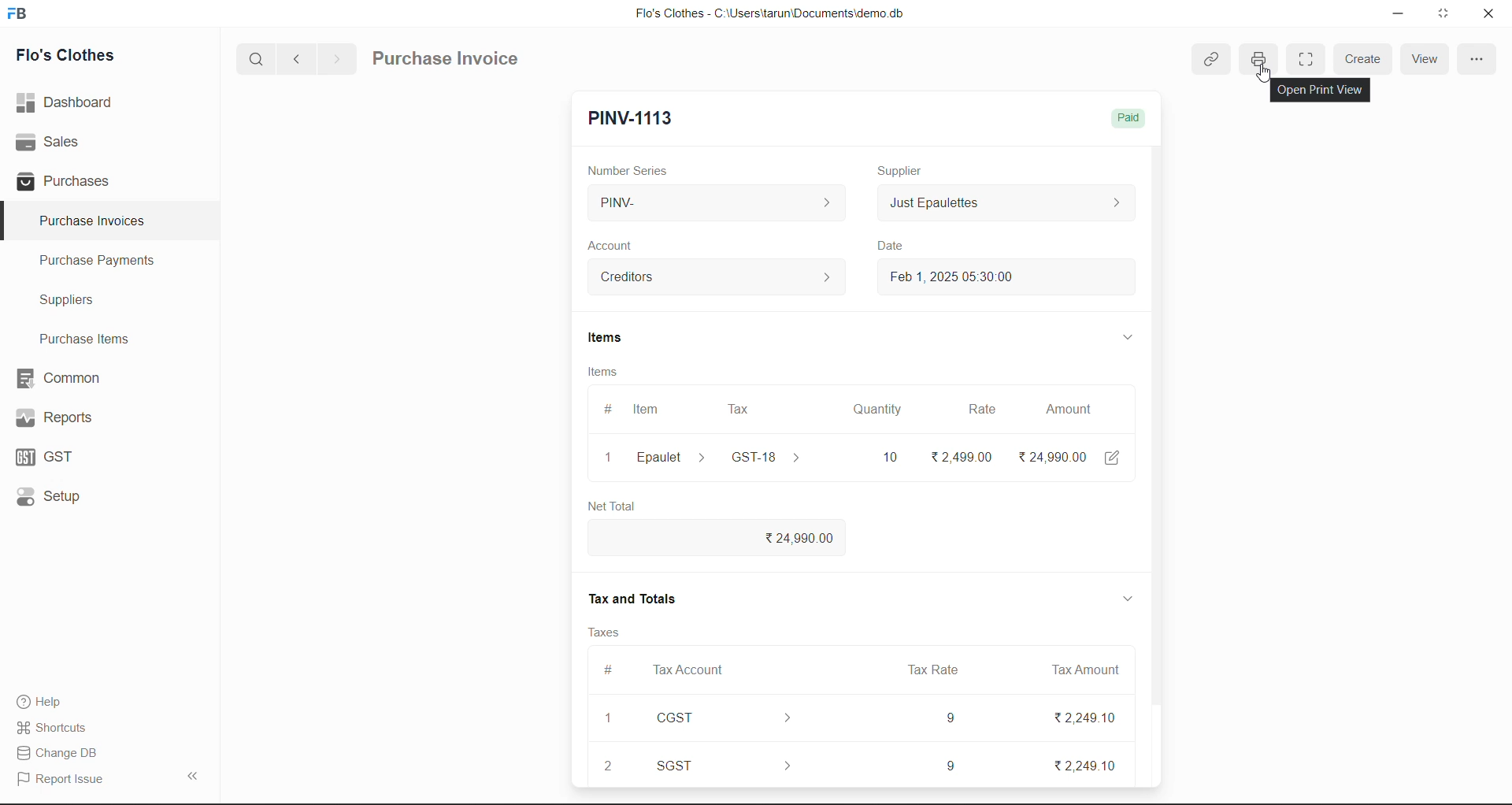 This screenshot has height=805, width=1512. I want to click on  Help, so click(53, 699).